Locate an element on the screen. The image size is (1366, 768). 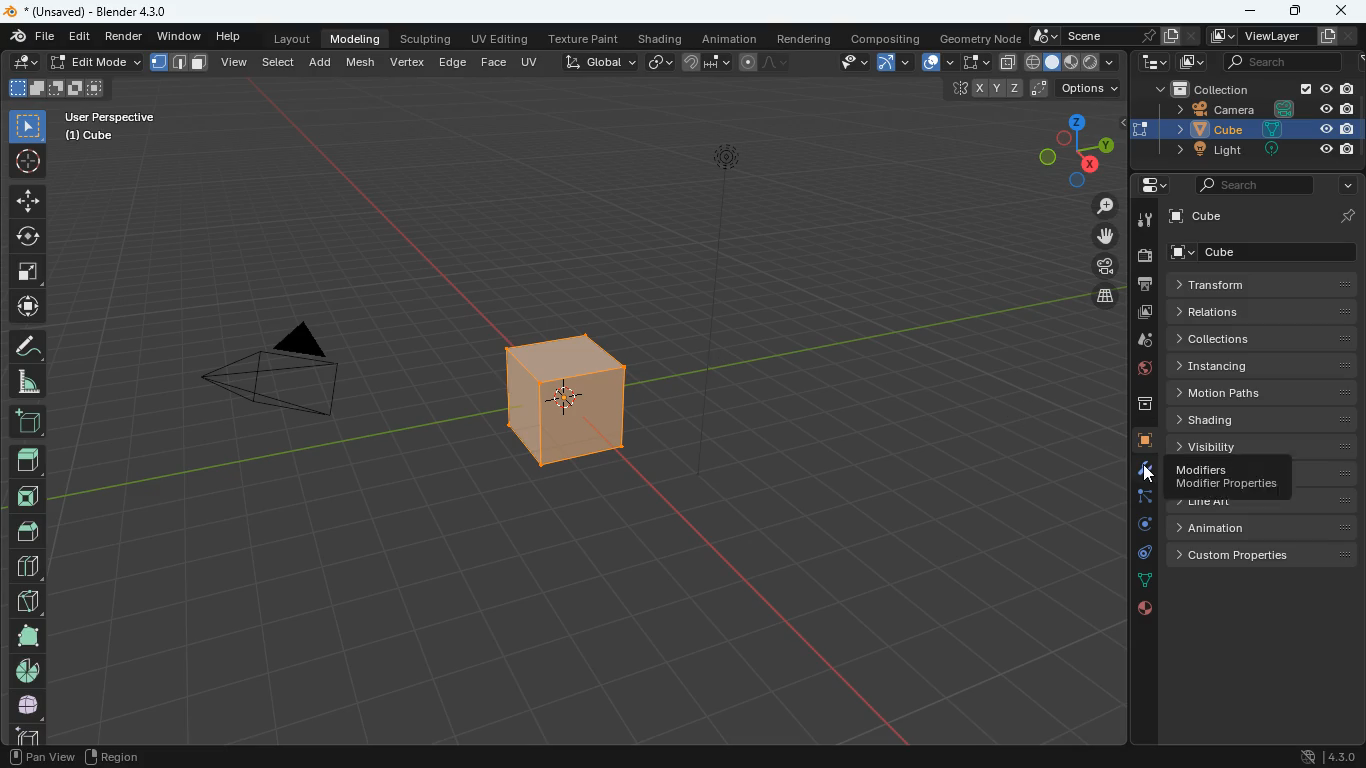
user perspective is located at coordinates (108, 126).